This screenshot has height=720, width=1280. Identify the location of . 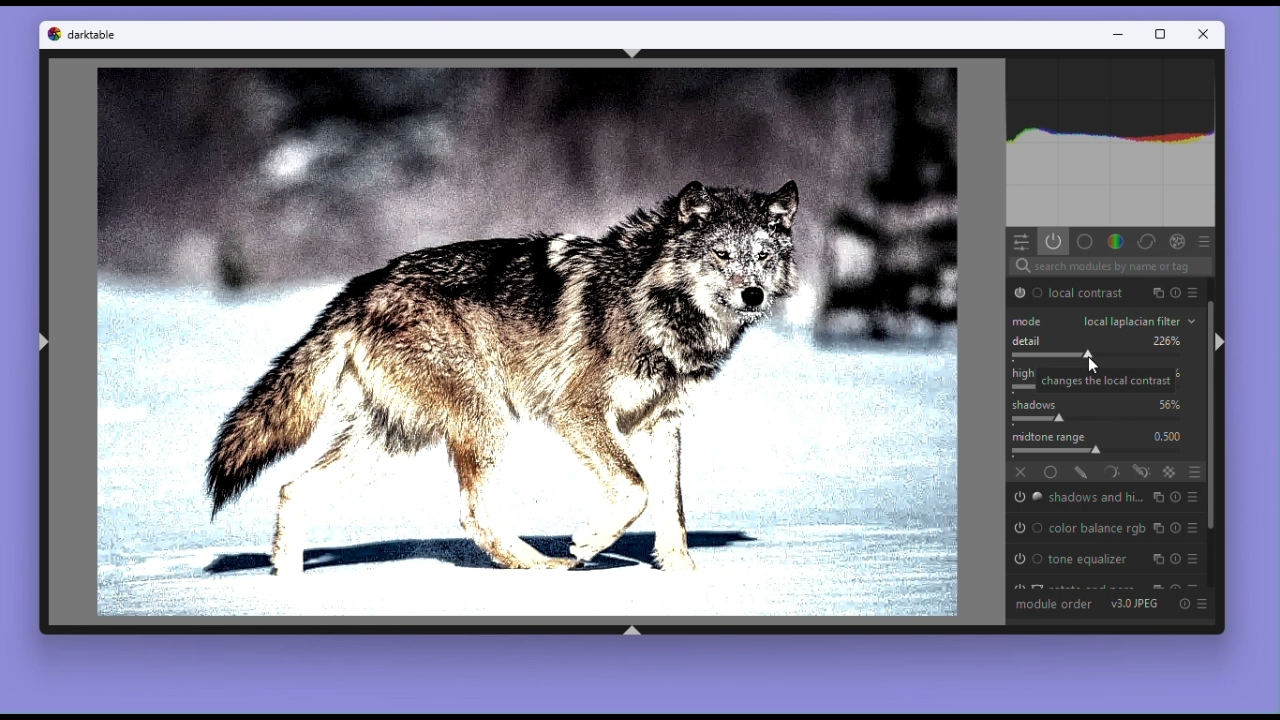
(1198, 293).